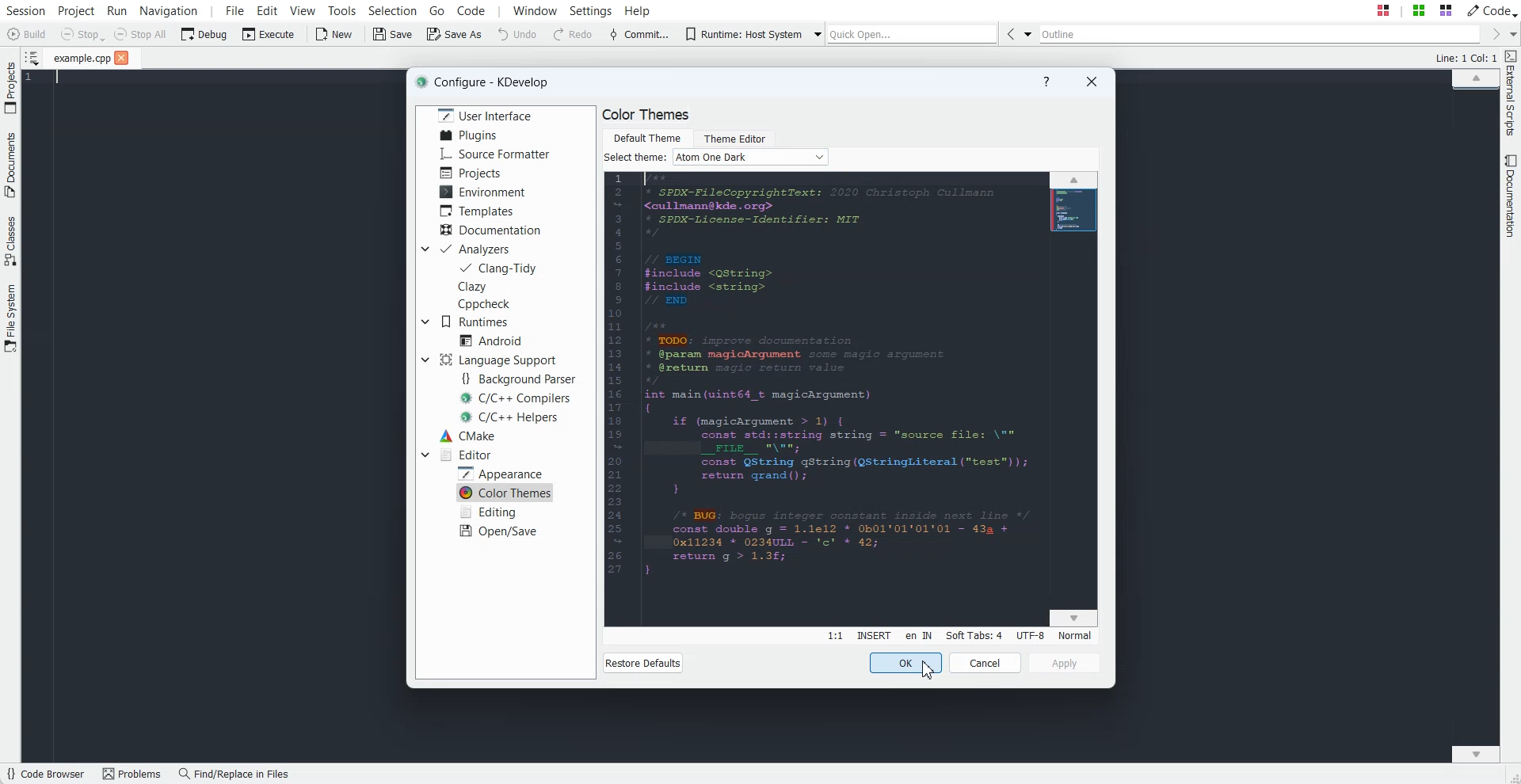 The image size is (1521, 784). What do you see at coordinates (522, 379) in the screenshot?
I see `Background Parser` at bounding box center [522, 379].